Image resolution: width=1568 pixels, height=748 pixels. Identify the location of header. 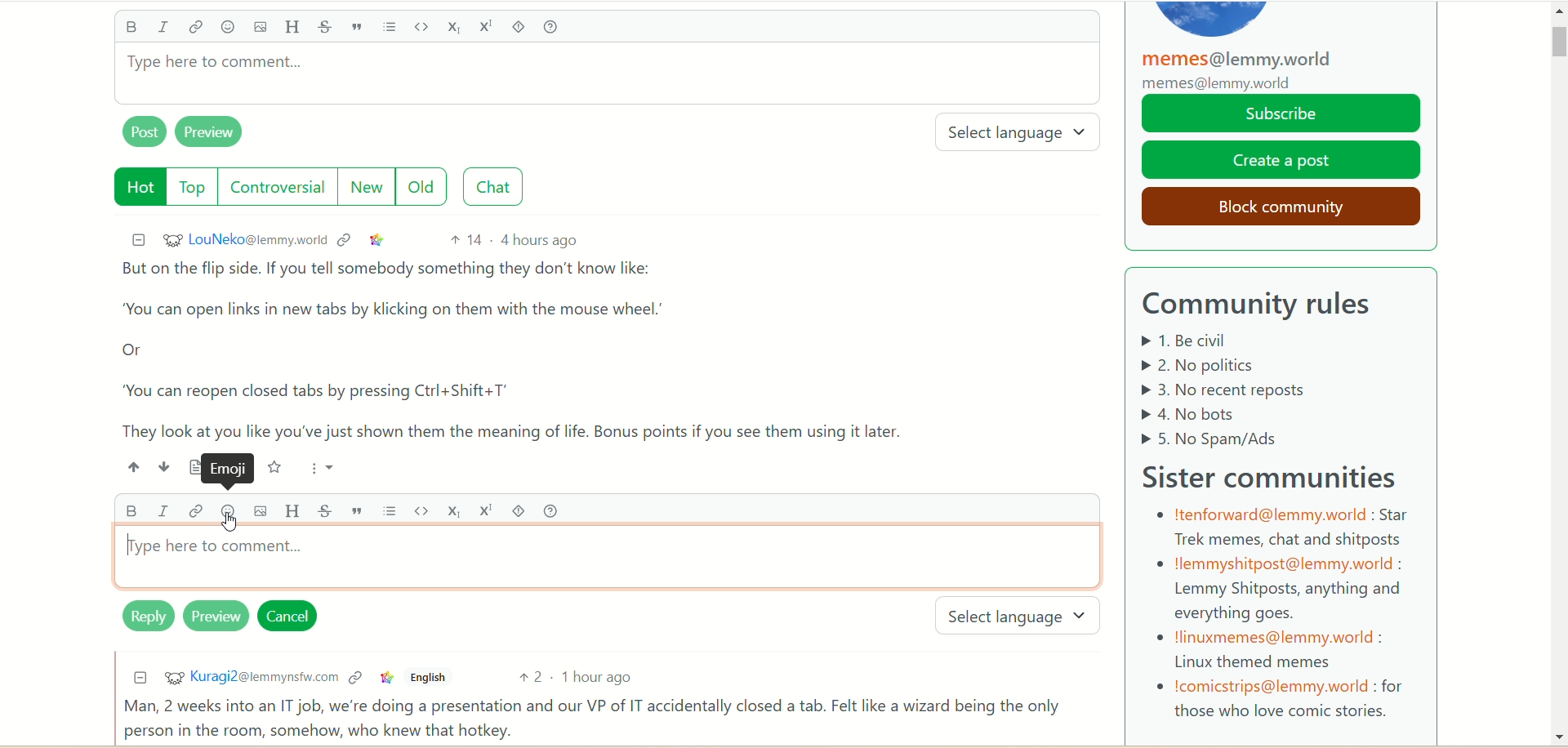
(292, 27).